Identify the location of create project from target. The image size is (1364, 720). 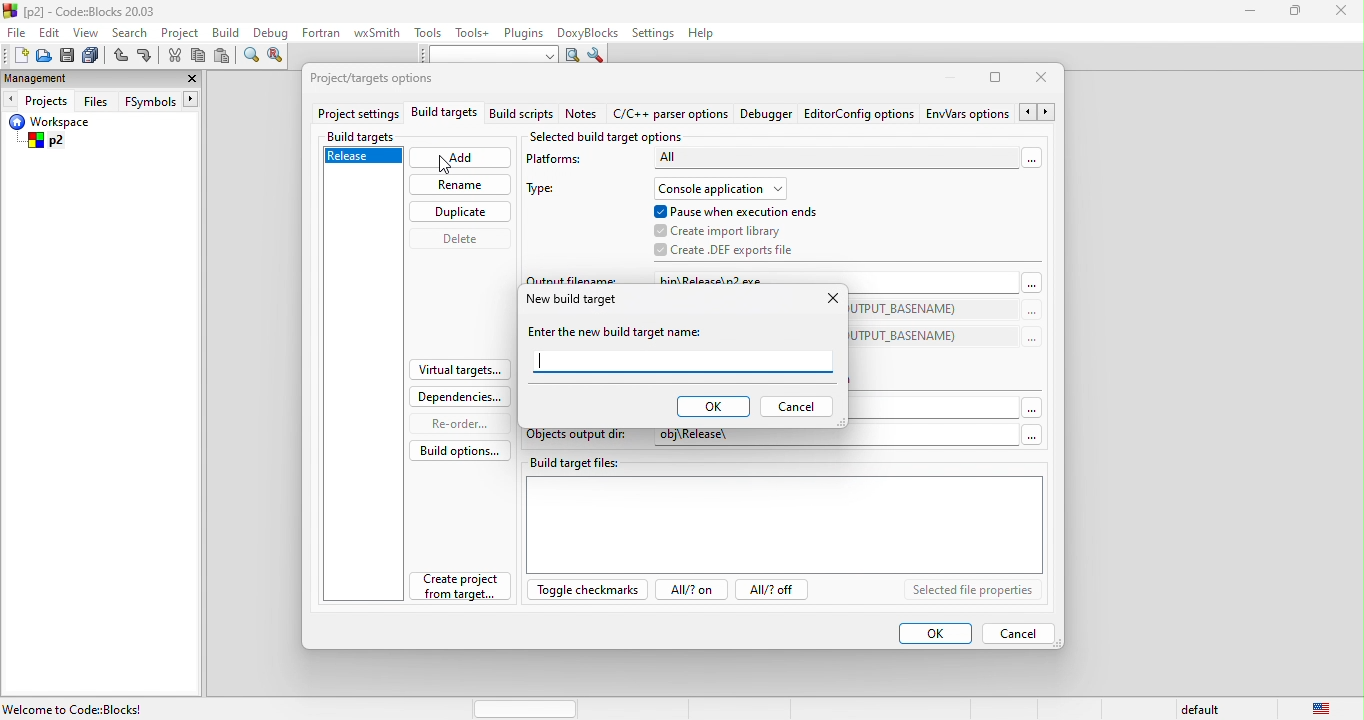
(463, 585).